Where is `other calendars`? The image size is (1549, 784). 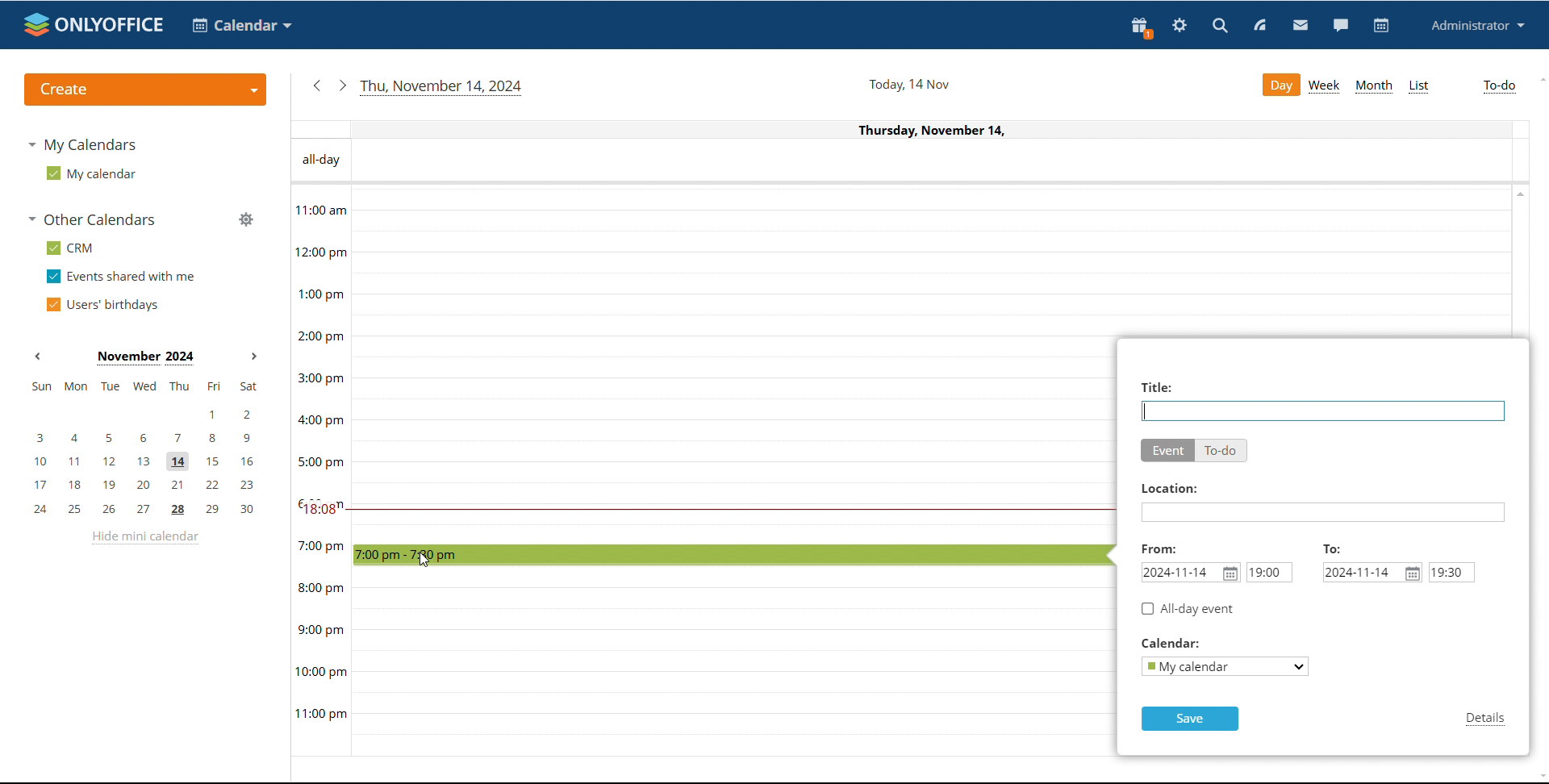 other calendars is located at coordinates (92, 219).